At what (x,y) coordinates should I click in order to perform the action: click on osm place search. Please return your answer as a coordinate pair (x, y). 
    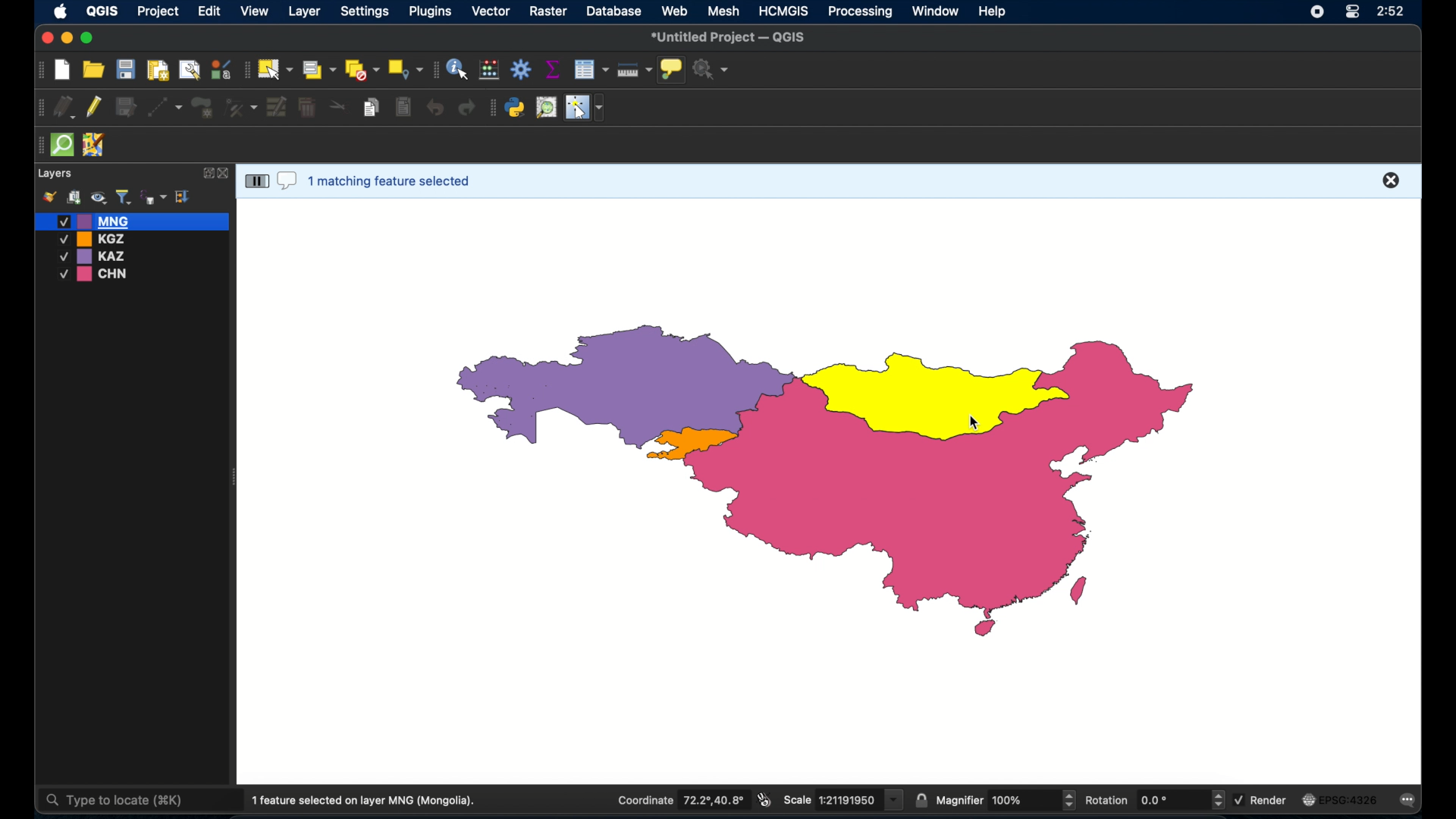
    Looking at the image, I should click on (546, 108).